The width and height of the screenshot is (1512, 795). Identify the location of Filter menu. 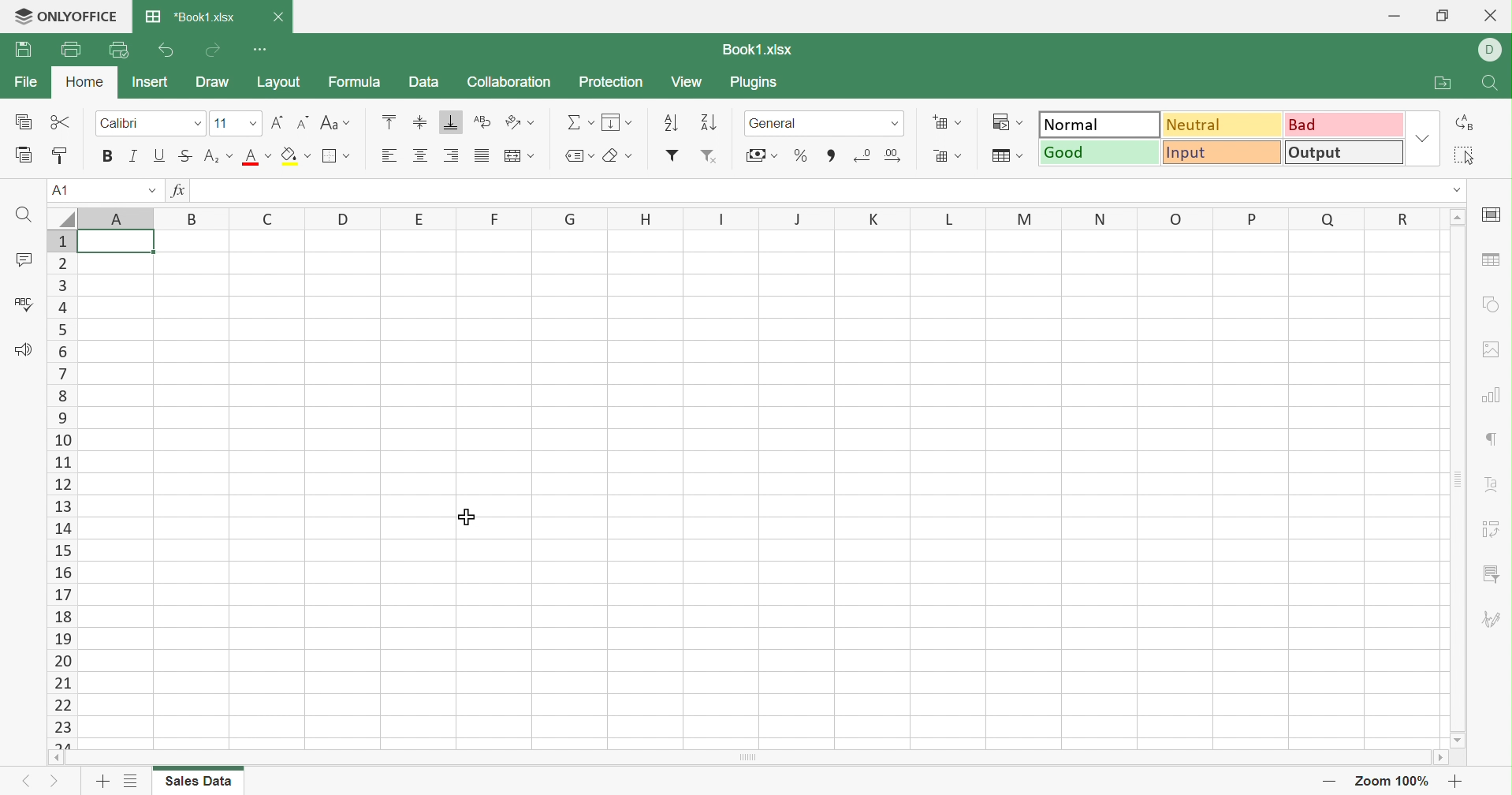
(1492, 575).